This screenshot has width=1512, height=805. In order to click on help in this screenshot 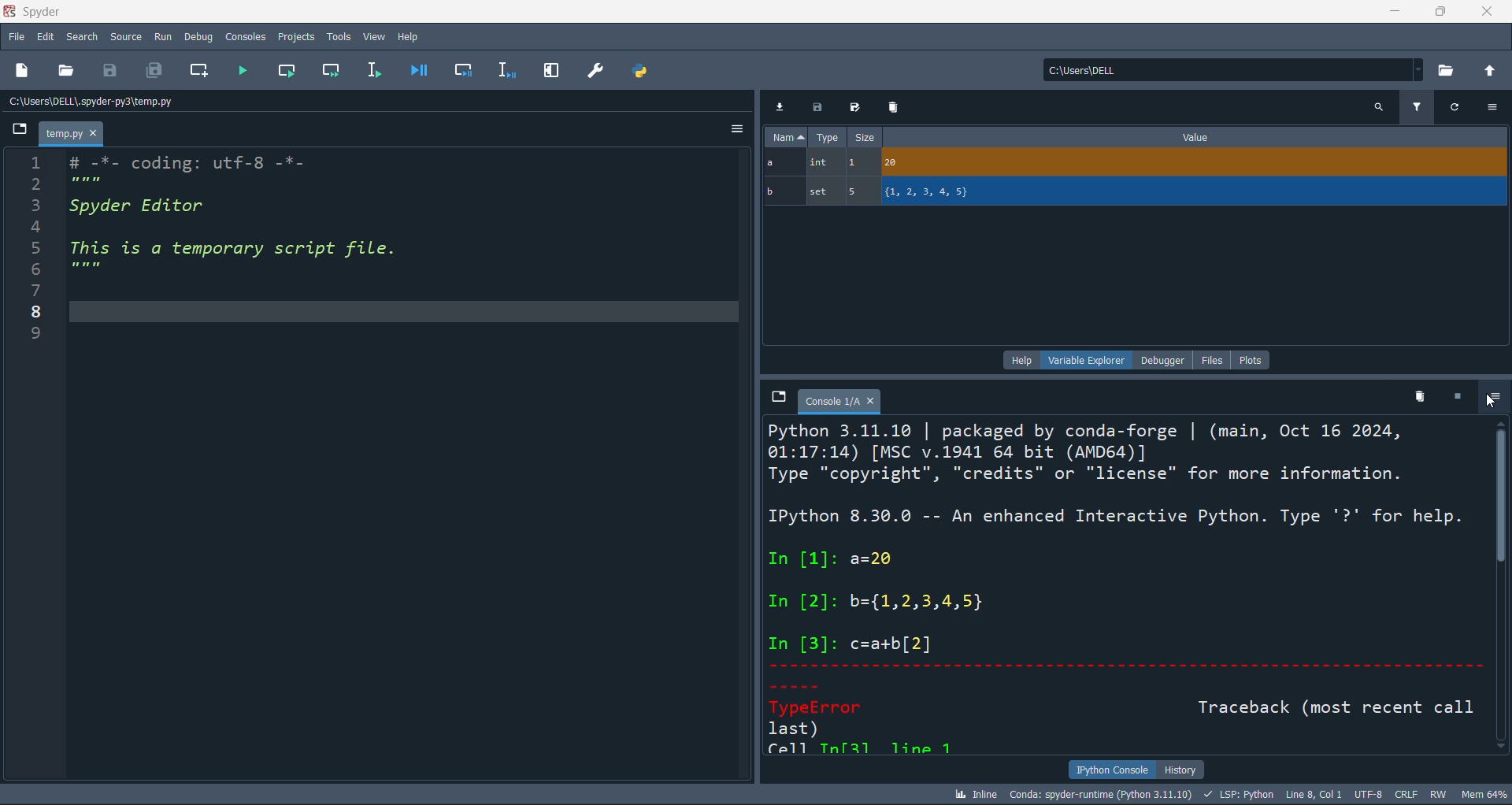, I will do `click(409, 34)`.